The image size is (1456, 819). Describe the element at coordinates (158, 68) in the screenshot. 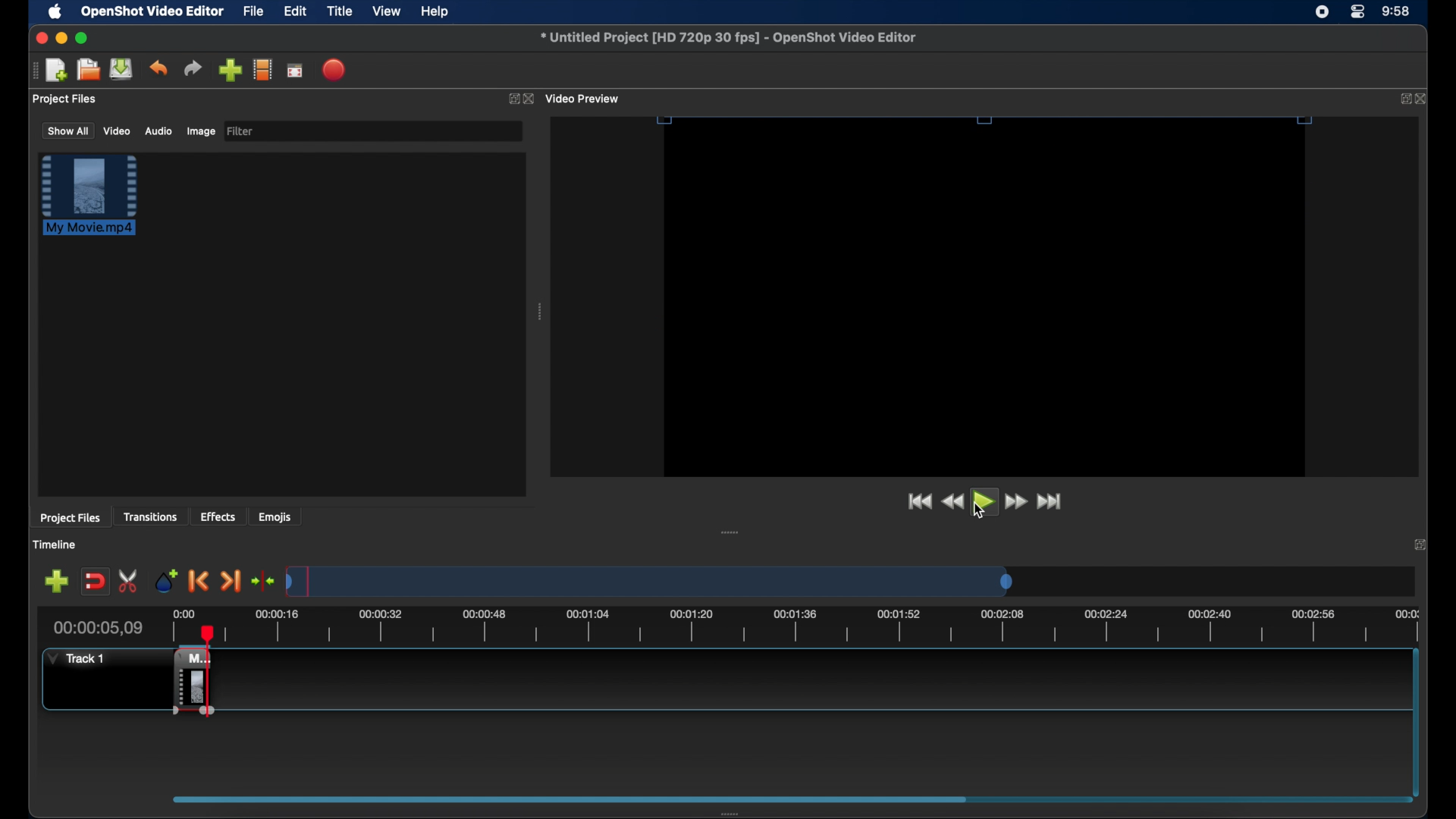

I see `undo` at that location.